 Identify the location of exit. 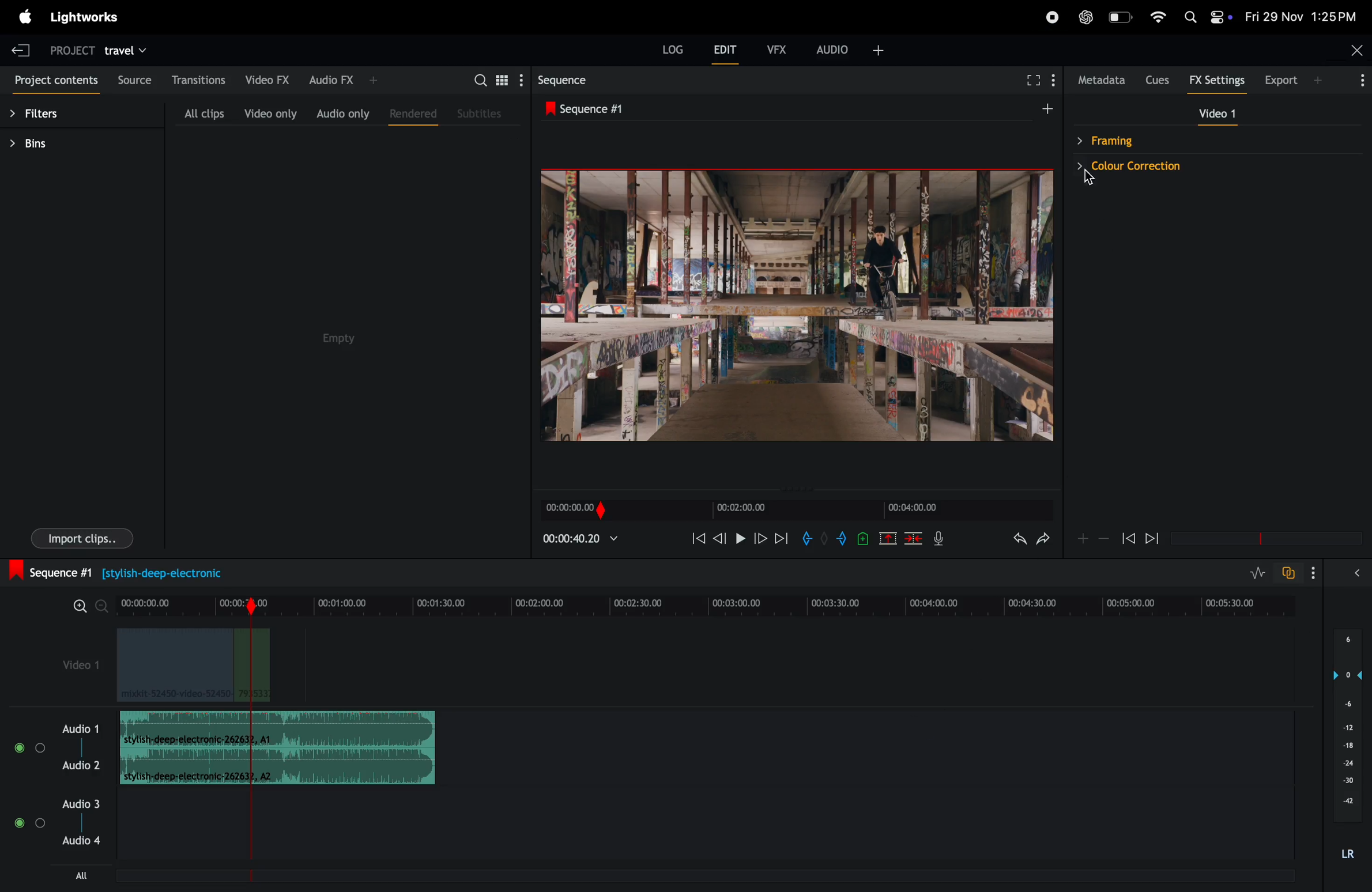
(20, 47).